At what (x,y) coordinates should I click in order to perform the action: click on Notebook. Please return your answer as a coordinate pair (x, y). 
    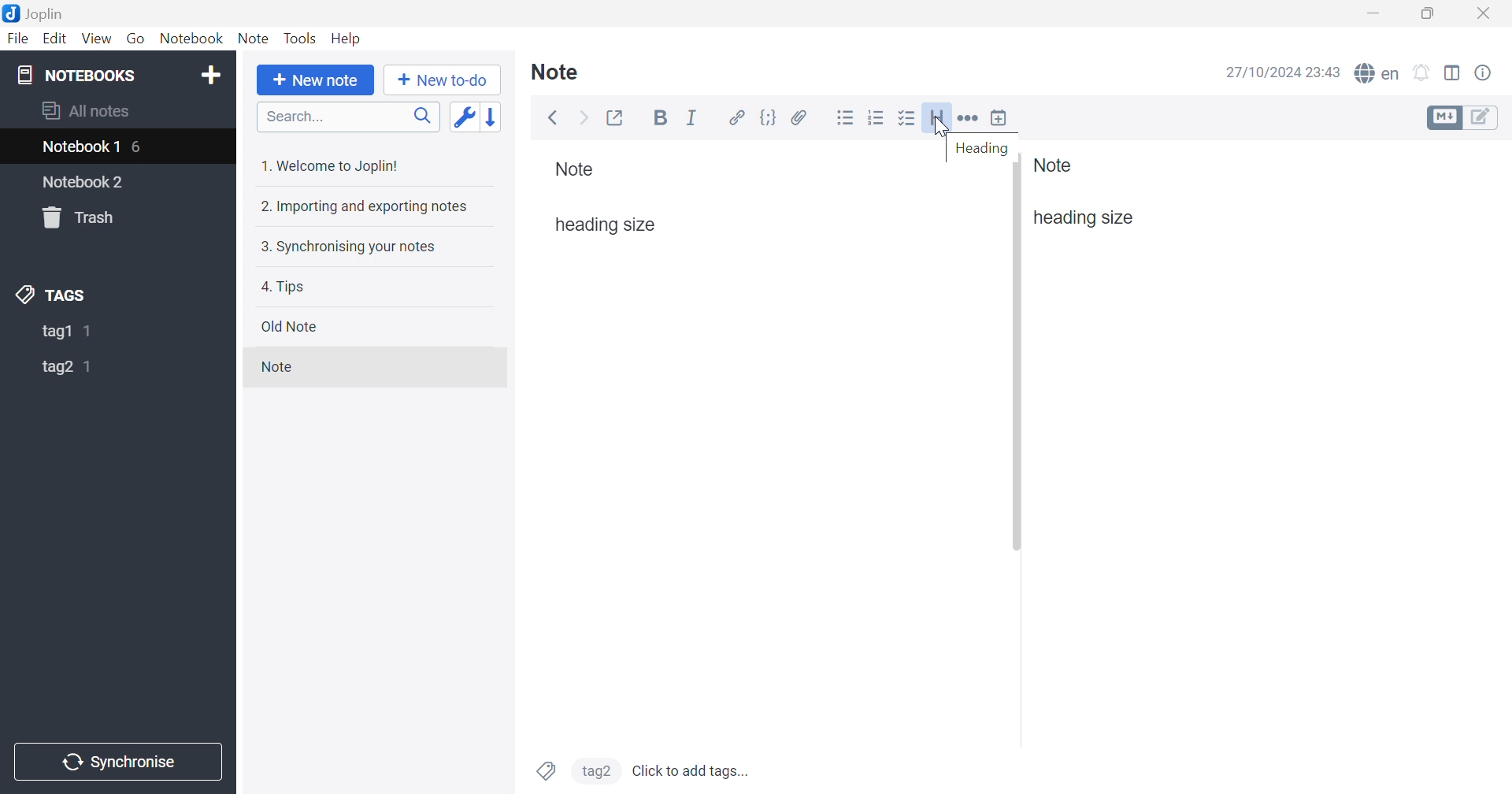
    Looking at the image, I should click on (192, 40).